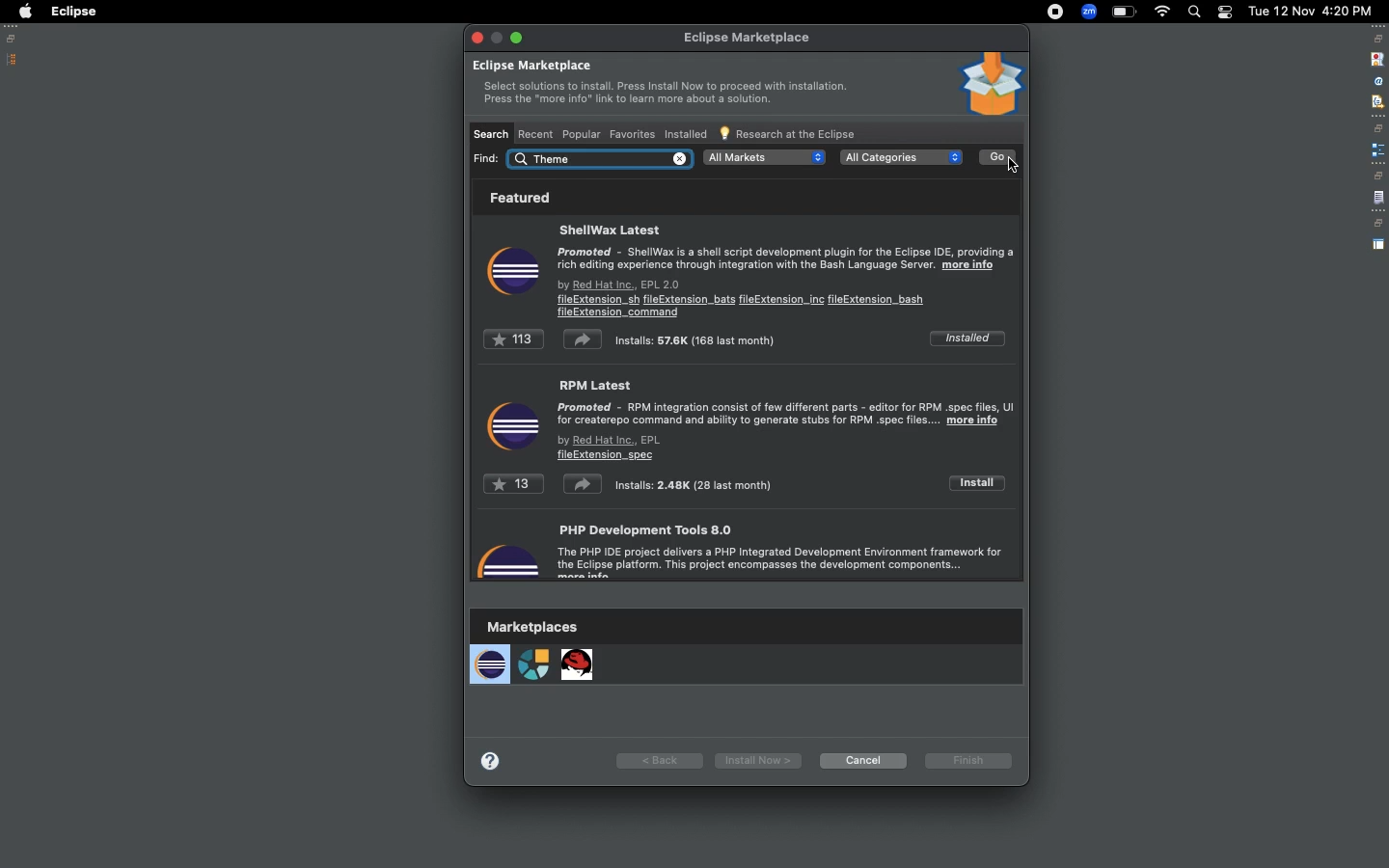 Image resolution: width=1389 pixels, height=868 pixels. Describe the element at coordinates (1377, 149) in the screenshot. I see `extension point` at that location.